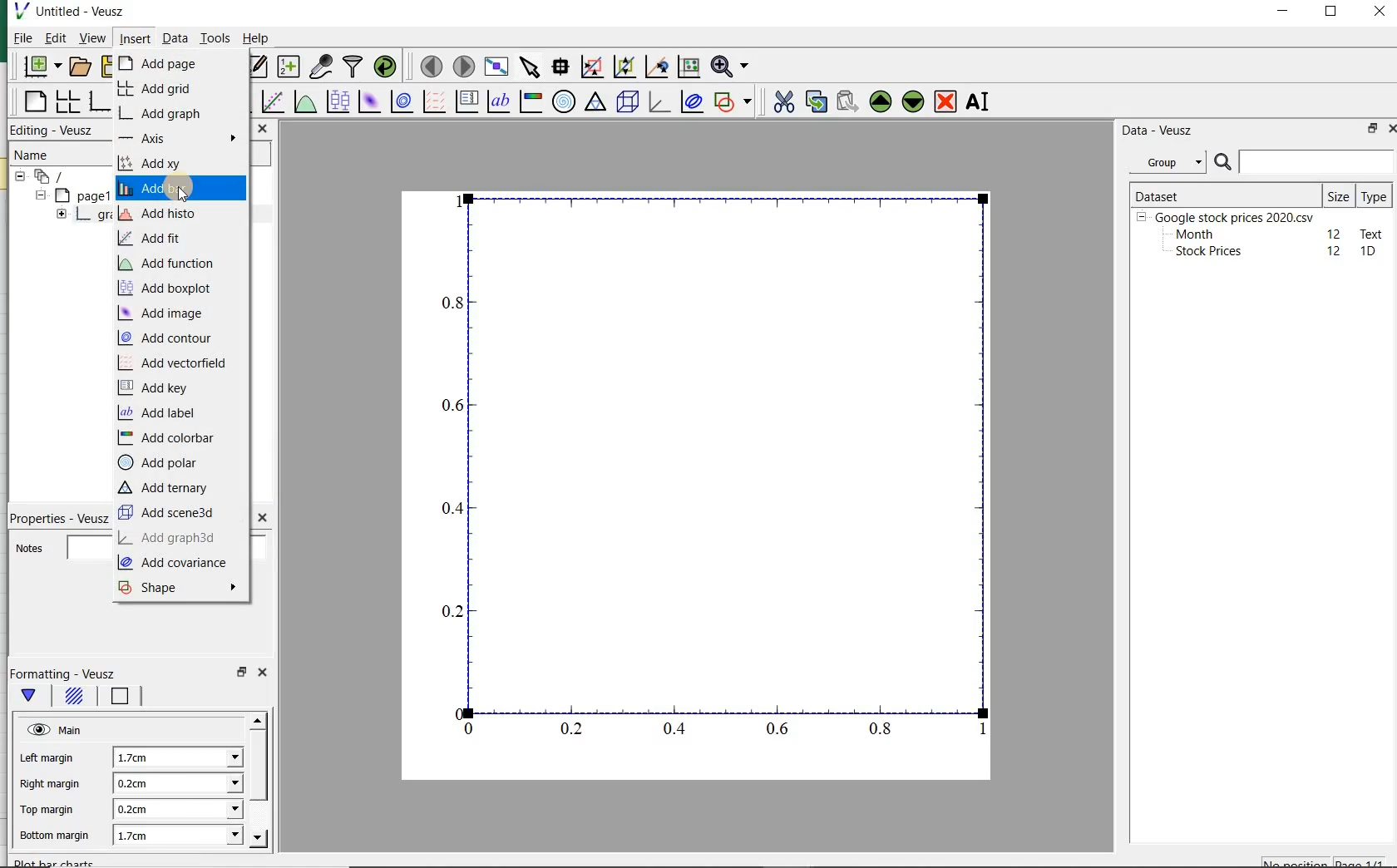 The height and width of the screenshot is (868, 1397). What do you see at coordinates (126, 696) in the screenshot?
I see `border` at bounding box center [126, 696].